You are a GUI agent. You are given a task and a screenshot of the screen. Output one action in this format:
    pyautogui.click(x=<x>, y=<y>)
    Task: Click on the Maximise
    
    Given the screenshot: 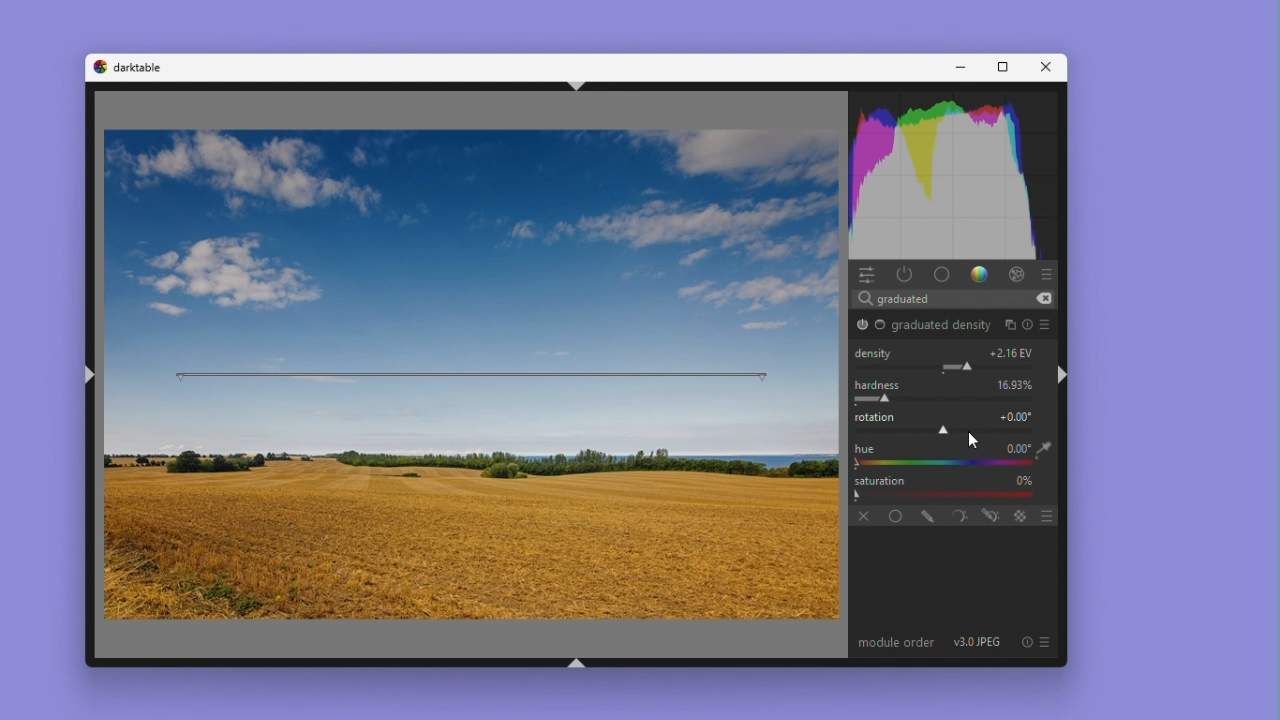 What is the action you would take?
    pyautogui.click(x=999, y=68)
    